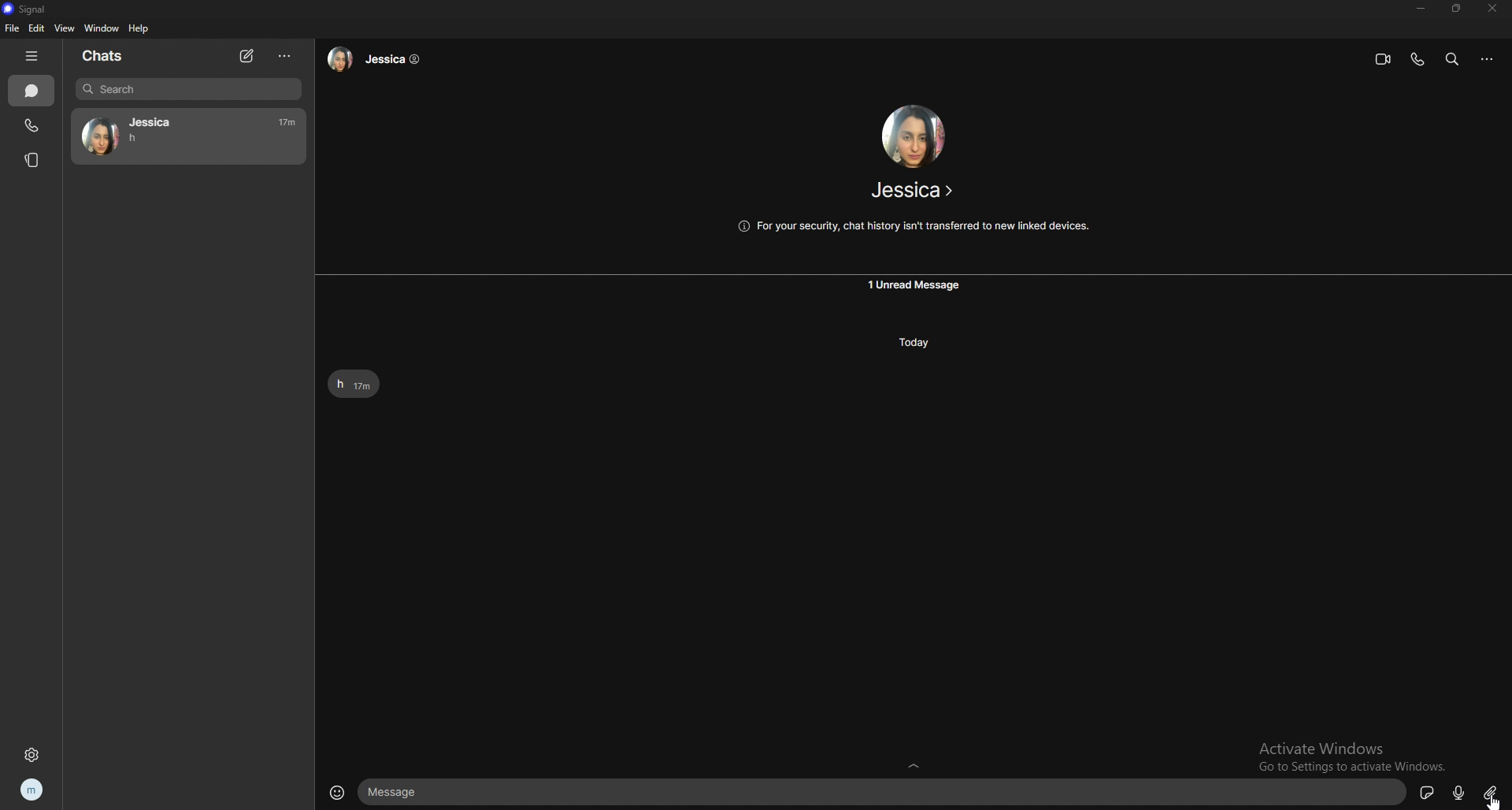 This screenshot has height=810, width=1512. What do you see at coordinates (32, 91) in the screenshot?
I see `chats` at bounding box center [32, 91].